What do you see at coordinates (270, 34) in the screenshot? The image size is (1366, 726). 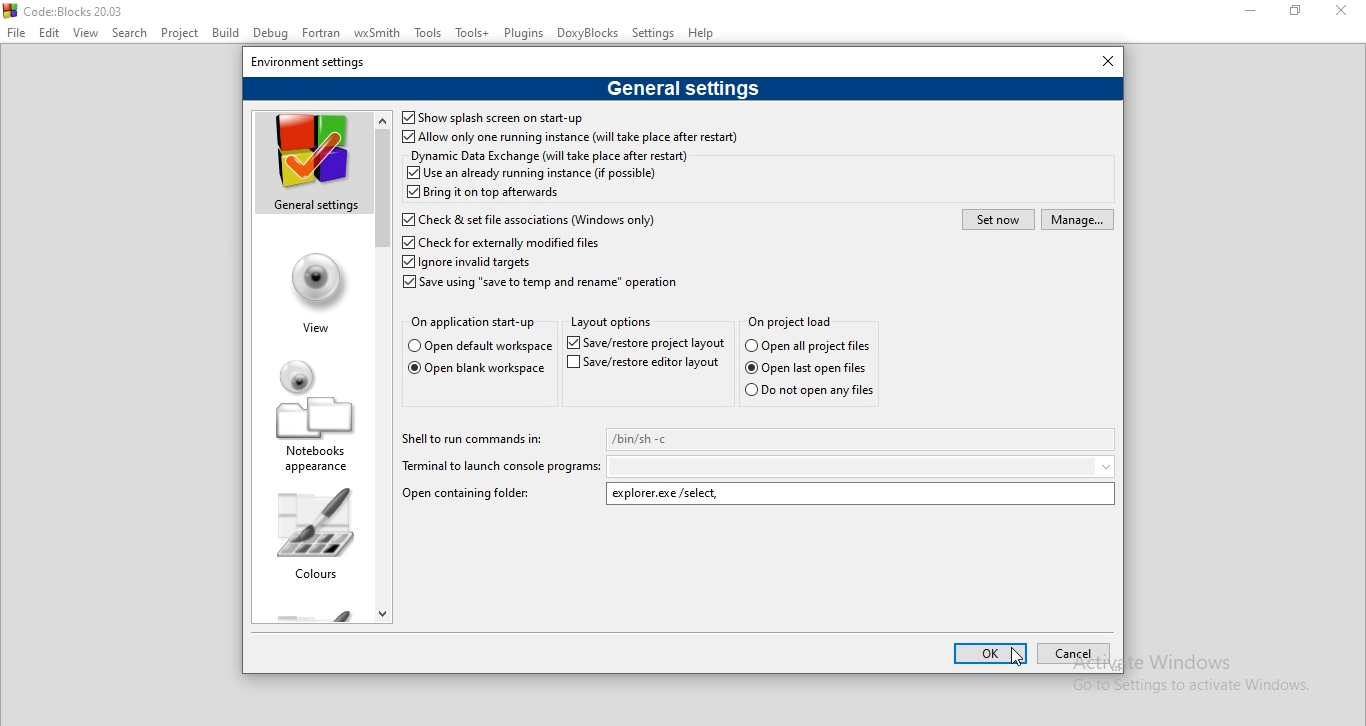 I see `Debug` at bounding box center [270, 34].